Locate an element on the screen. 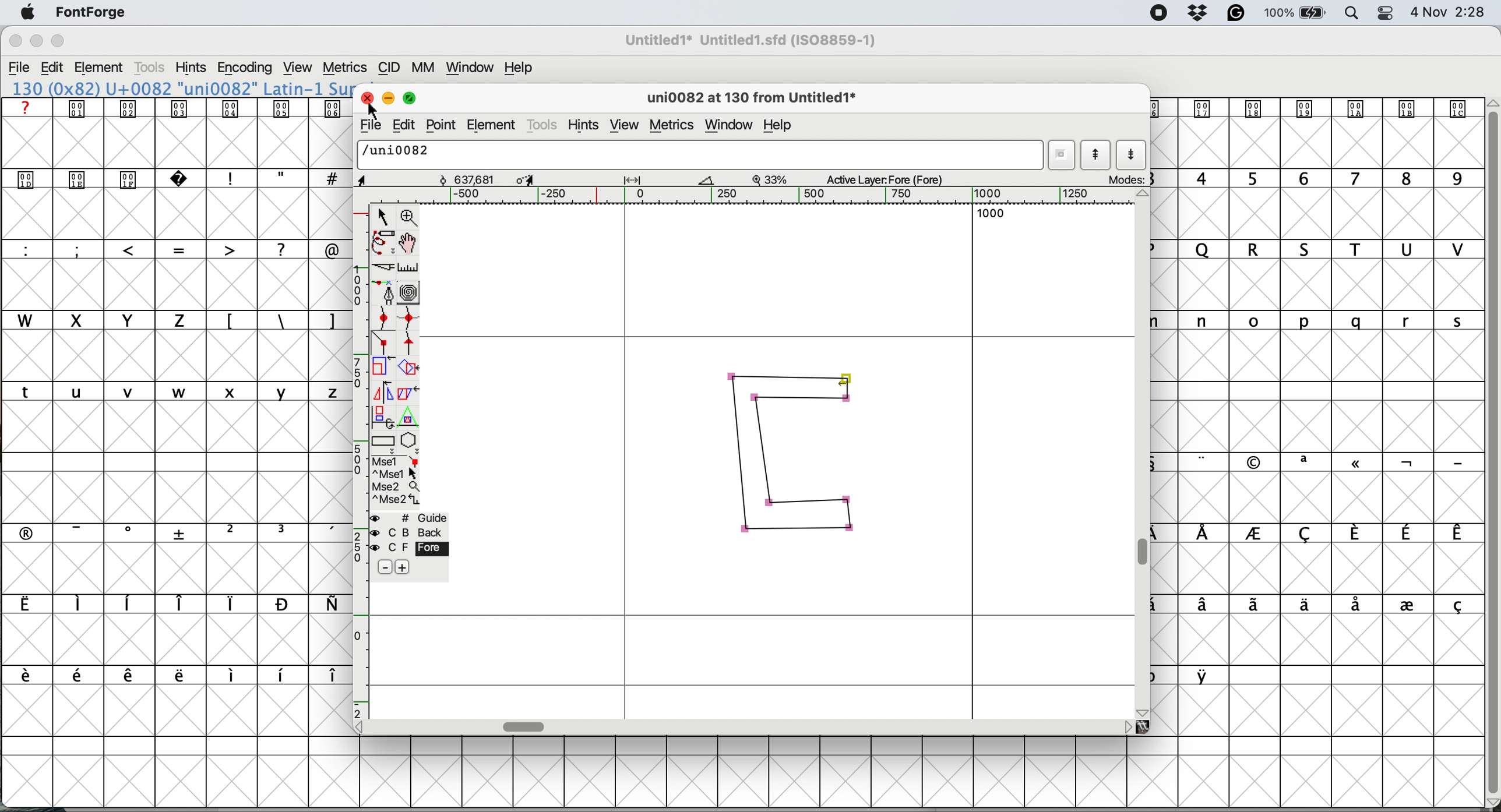 This screenshot has height=812, width=1501. corner point connected is located at coordinates (821, 501).